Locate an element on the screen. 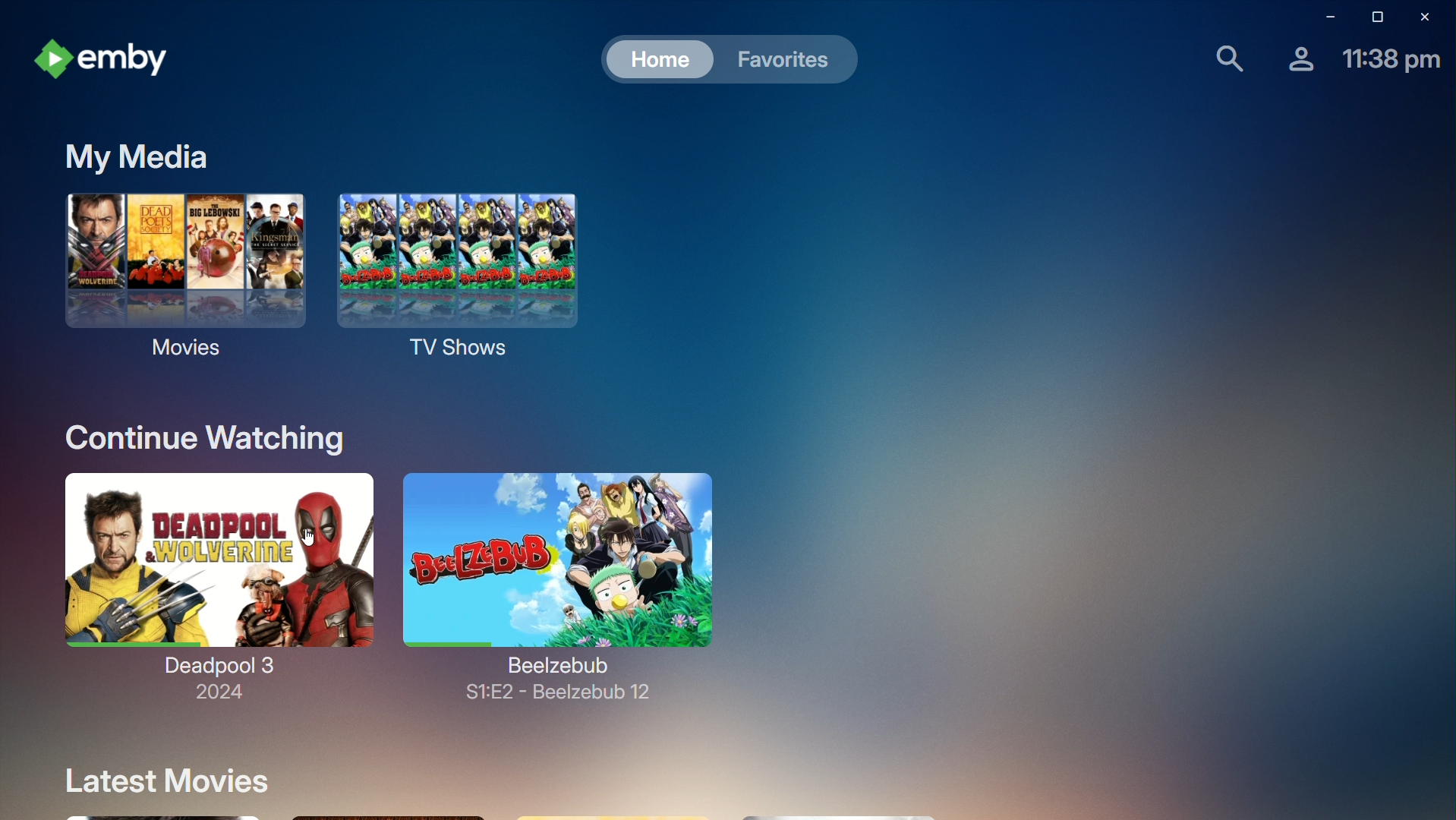 The image size is (1456, 820). Close is located at coordinates (1424, 17).